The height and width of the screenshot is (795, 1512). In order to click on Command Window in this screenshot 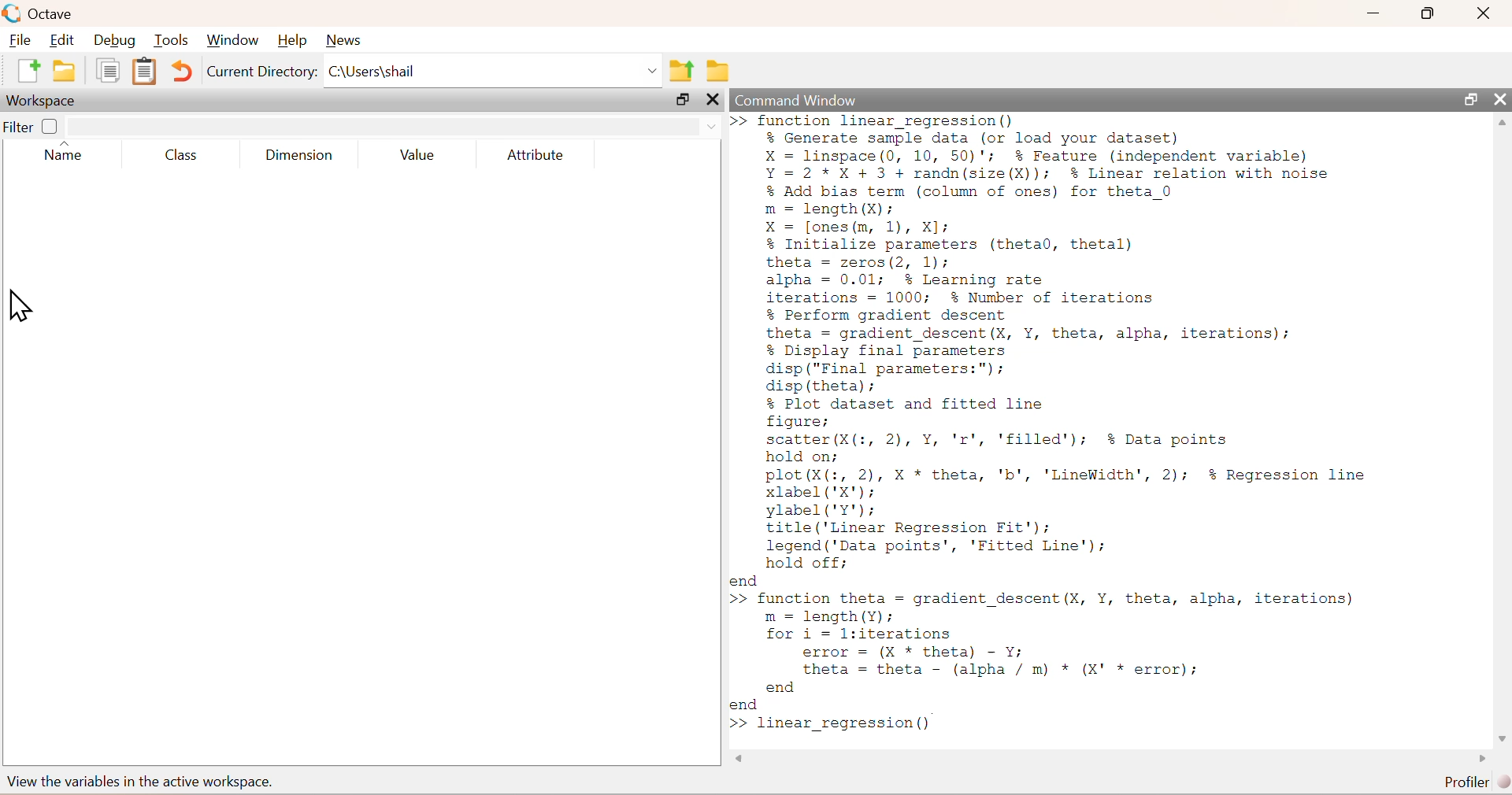, I will do `click(796, 100)`.